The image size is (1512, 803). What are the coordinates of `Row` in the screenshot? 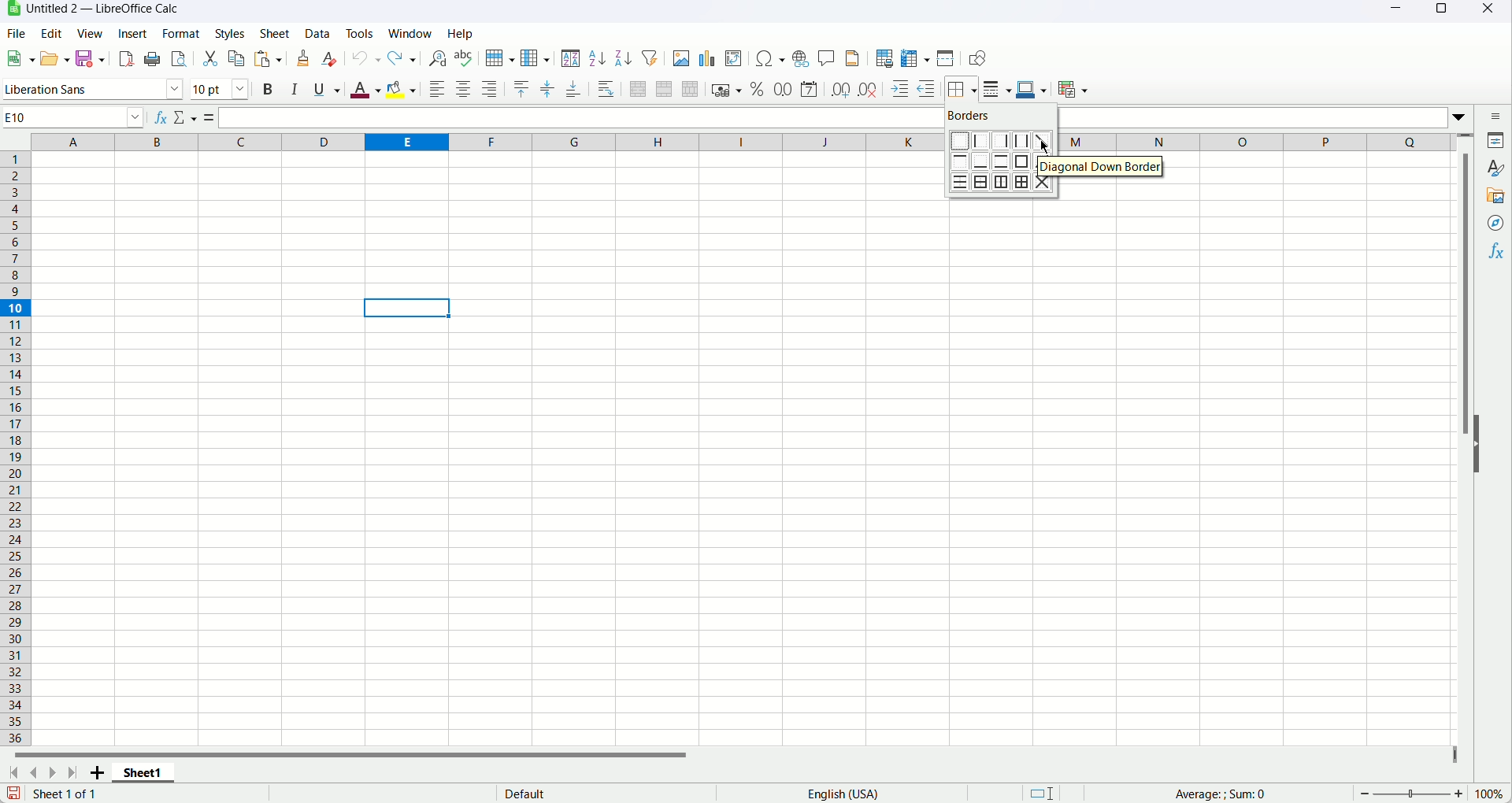 It's located at (498, 57).